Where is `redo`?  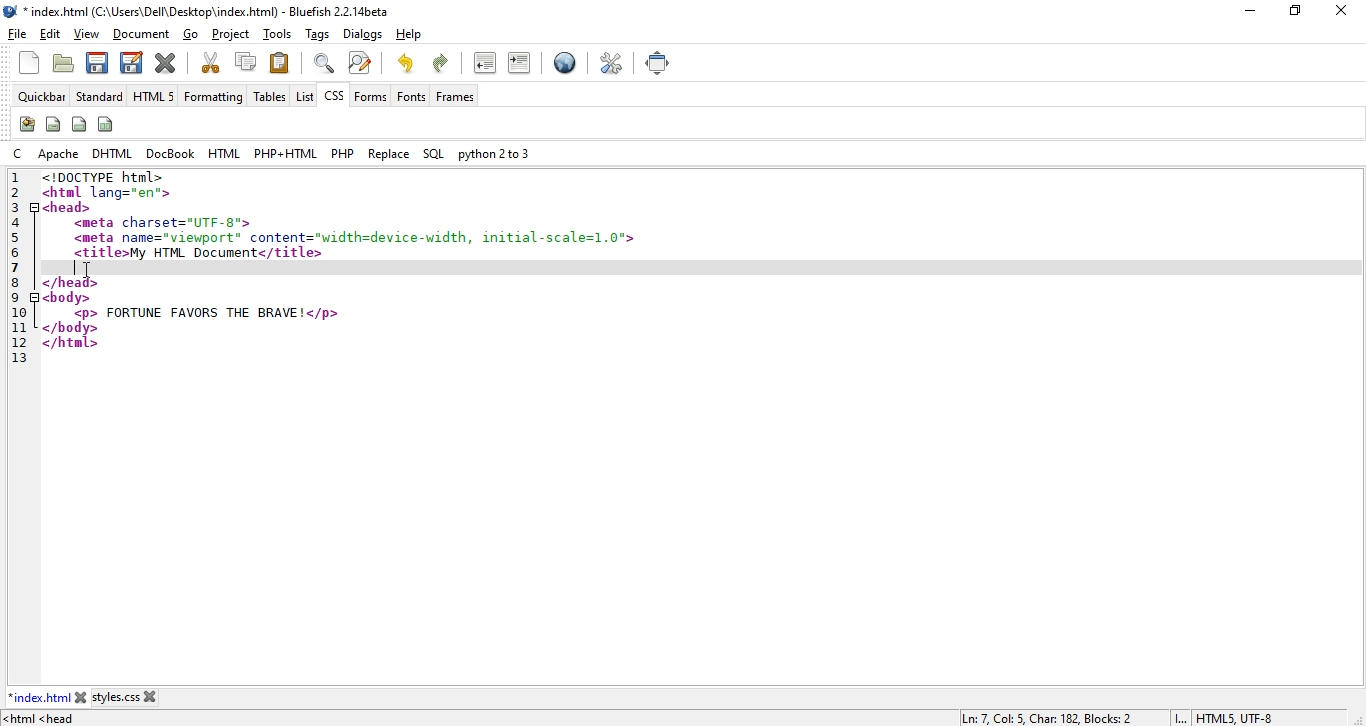
redo is located at coordinates (444, 61).